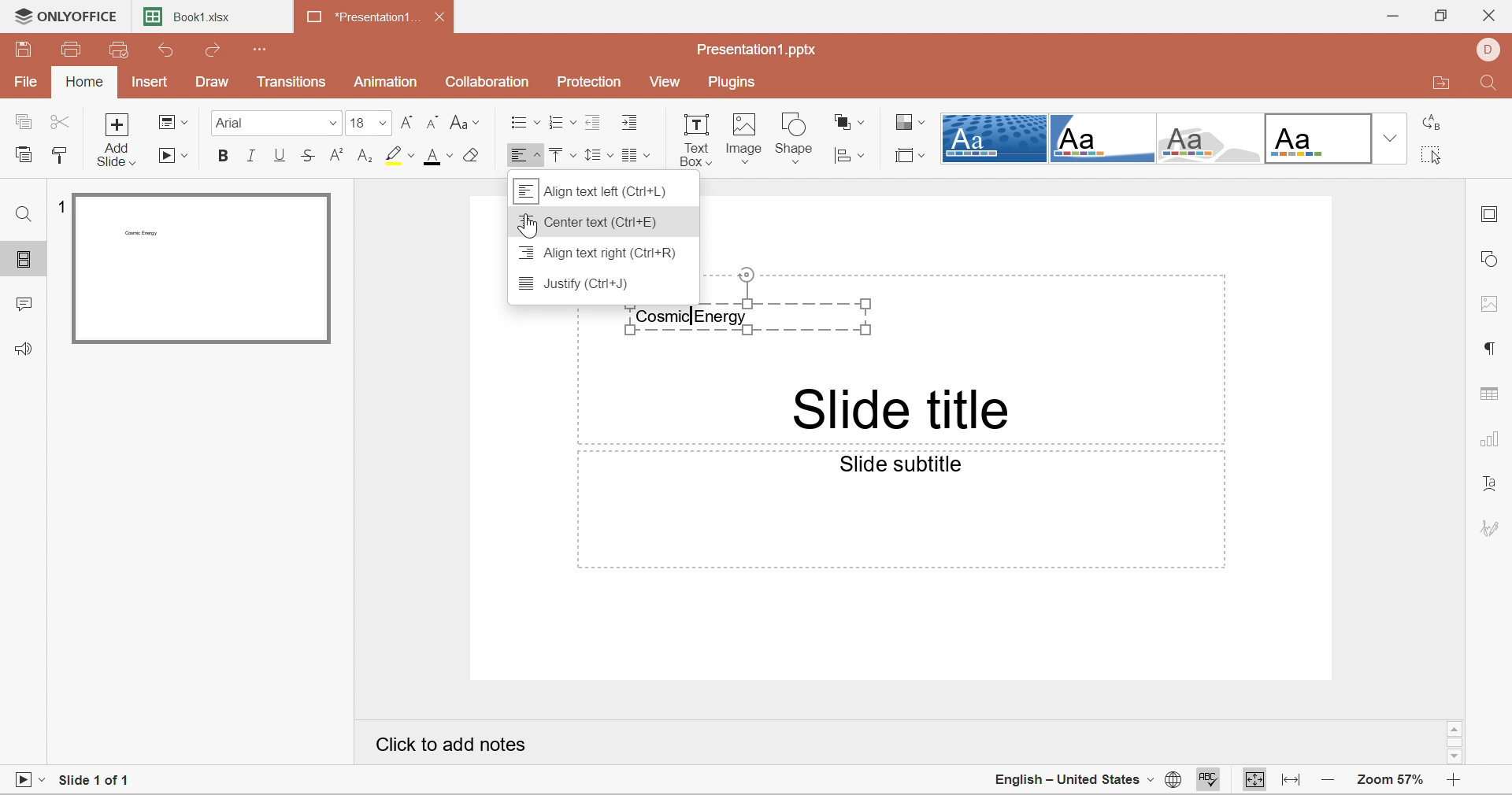  I want to click on Check spelling, so click(1210, 780).